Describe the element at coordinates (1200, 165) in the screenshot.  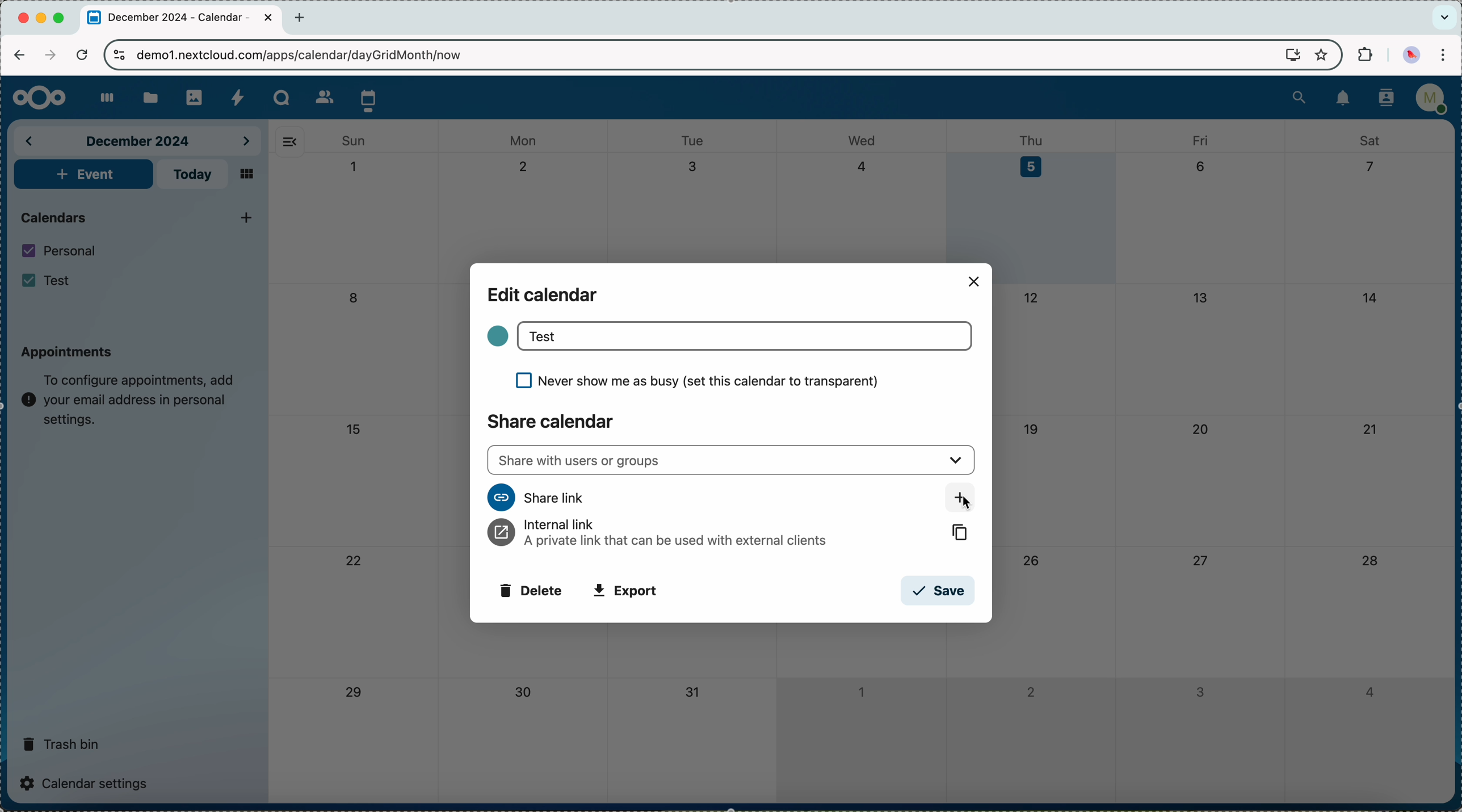
I see `6` at that location.